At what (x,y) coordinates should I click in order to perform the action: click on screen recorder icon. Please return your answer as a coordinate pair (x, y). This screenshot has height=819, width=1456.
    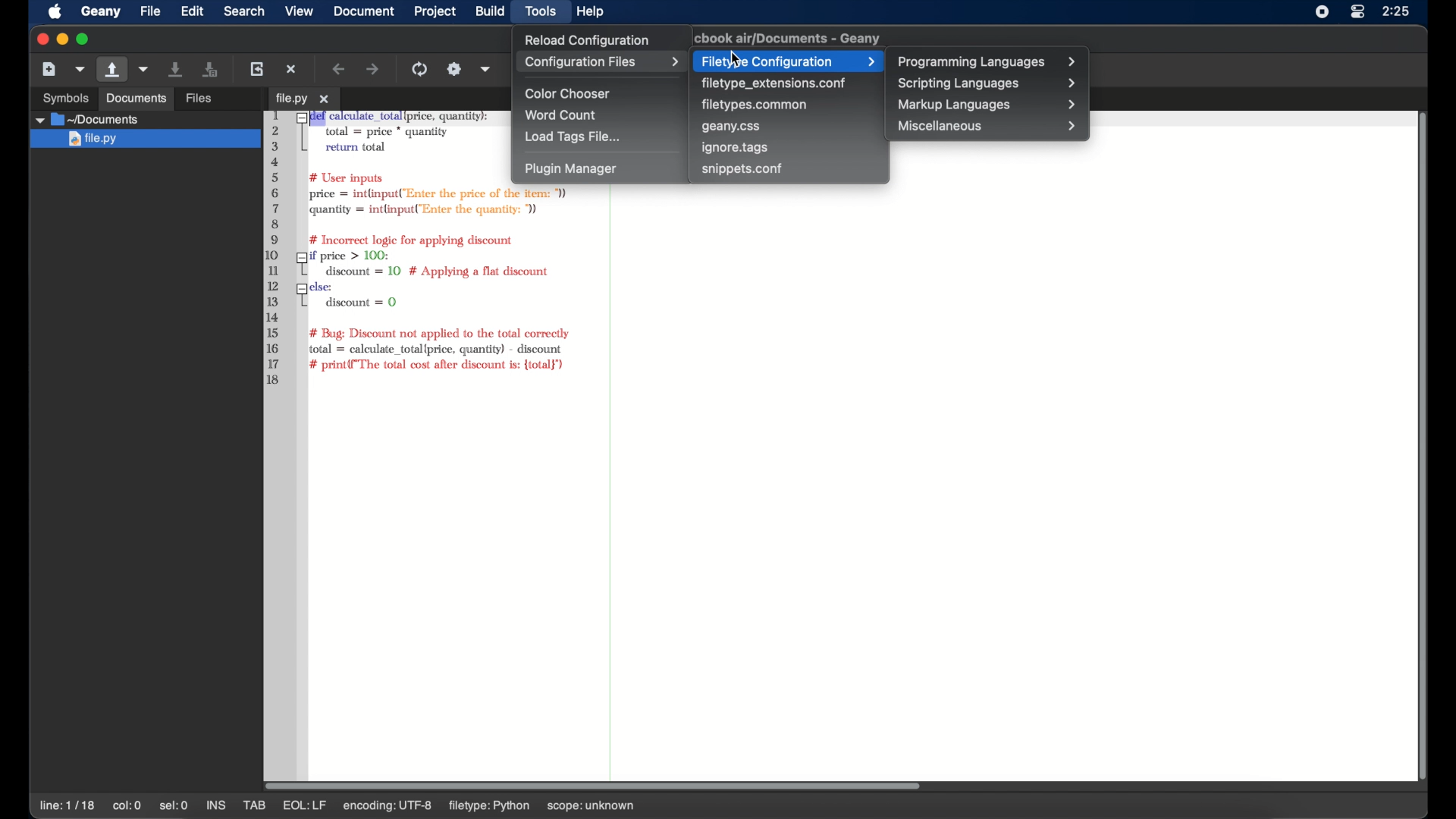
    Looking at the image, I should click on (1323, 11).